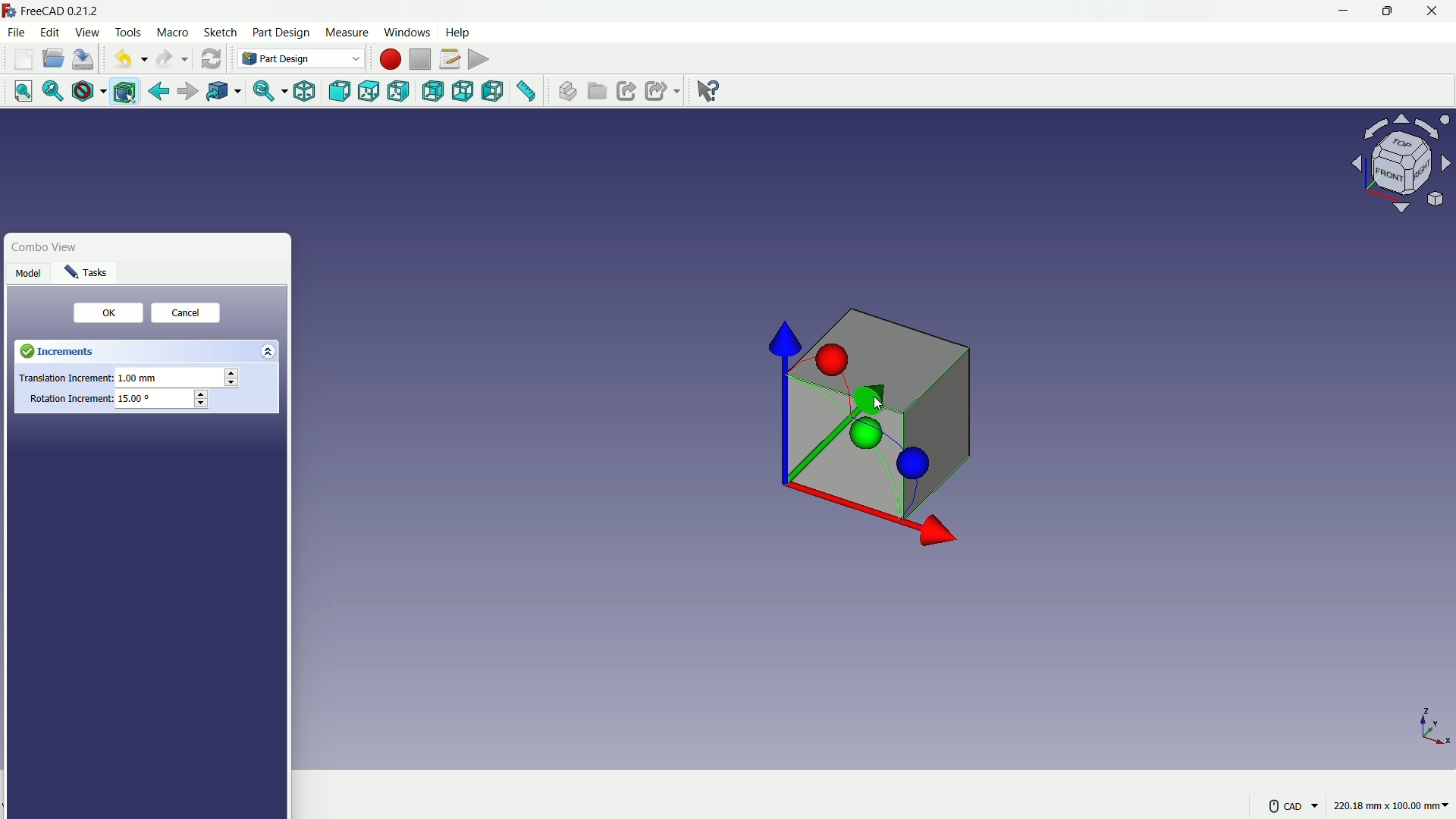  I want to click on start macros, so click(389, 59).